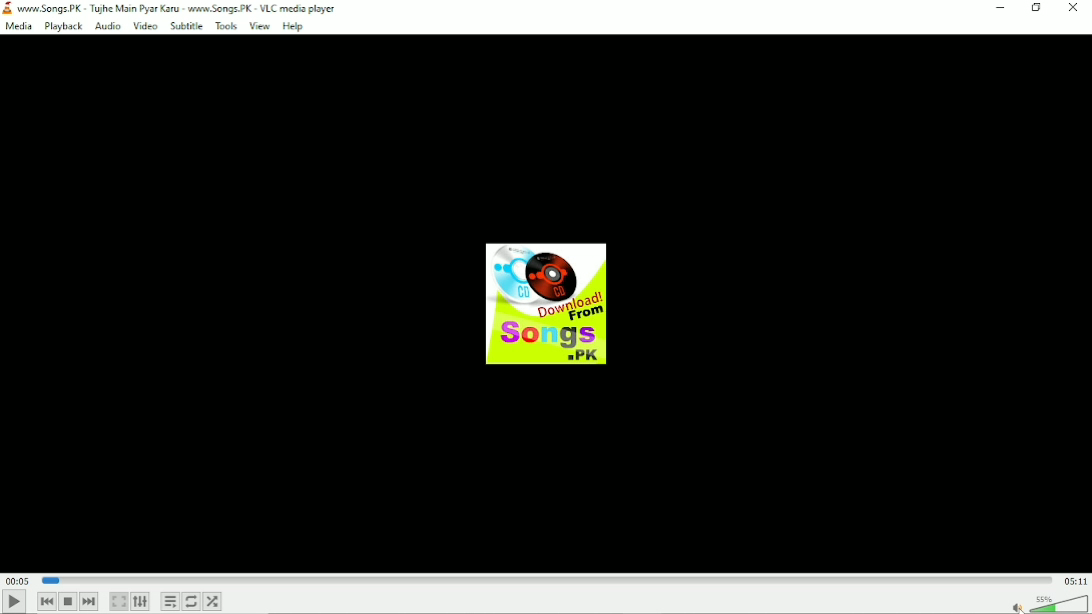 Image resolution: width=1092 pixels, height=614 pixels. Describe the element at coordinates (1048, 602) in the screenshot. I see `Volume Unmuted` at that location.